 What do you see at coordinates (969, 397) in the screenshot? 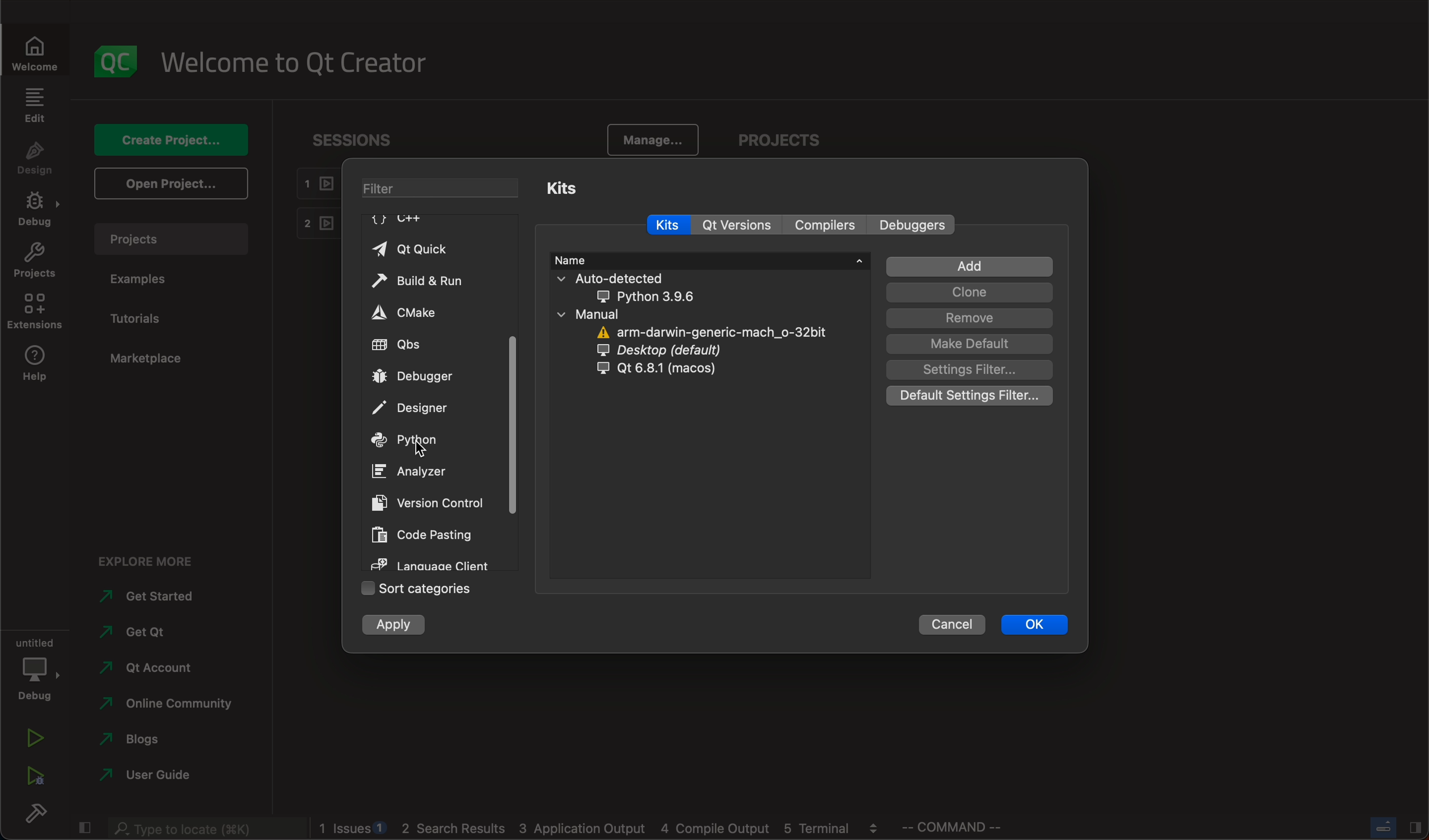
I see `default setting filter` at bounding box center [969, 397].